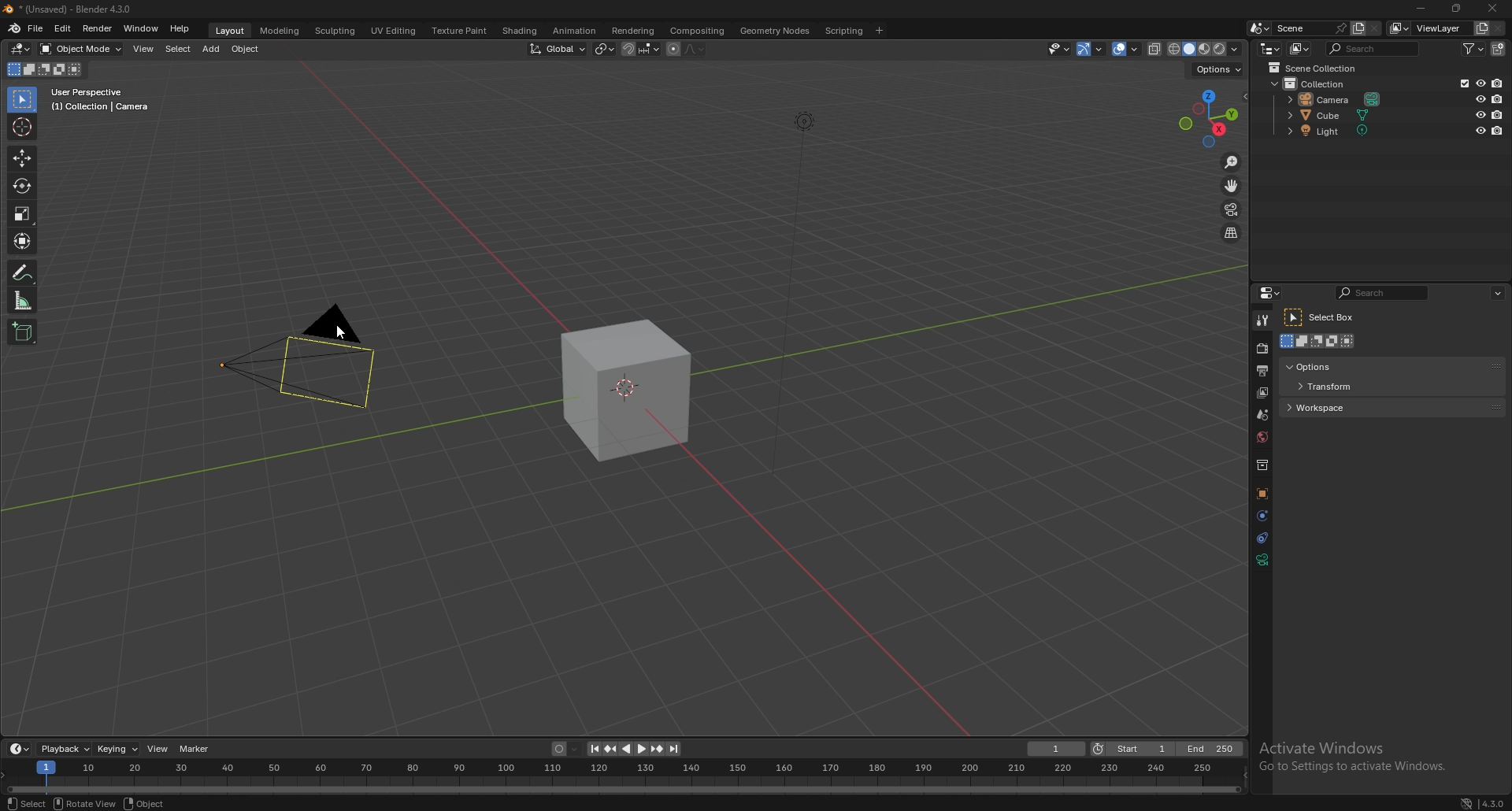 This screenshot has height=811, width=1512. Describe the element at coordinates (157, 749) in the screenshot. I see `view` at that location.